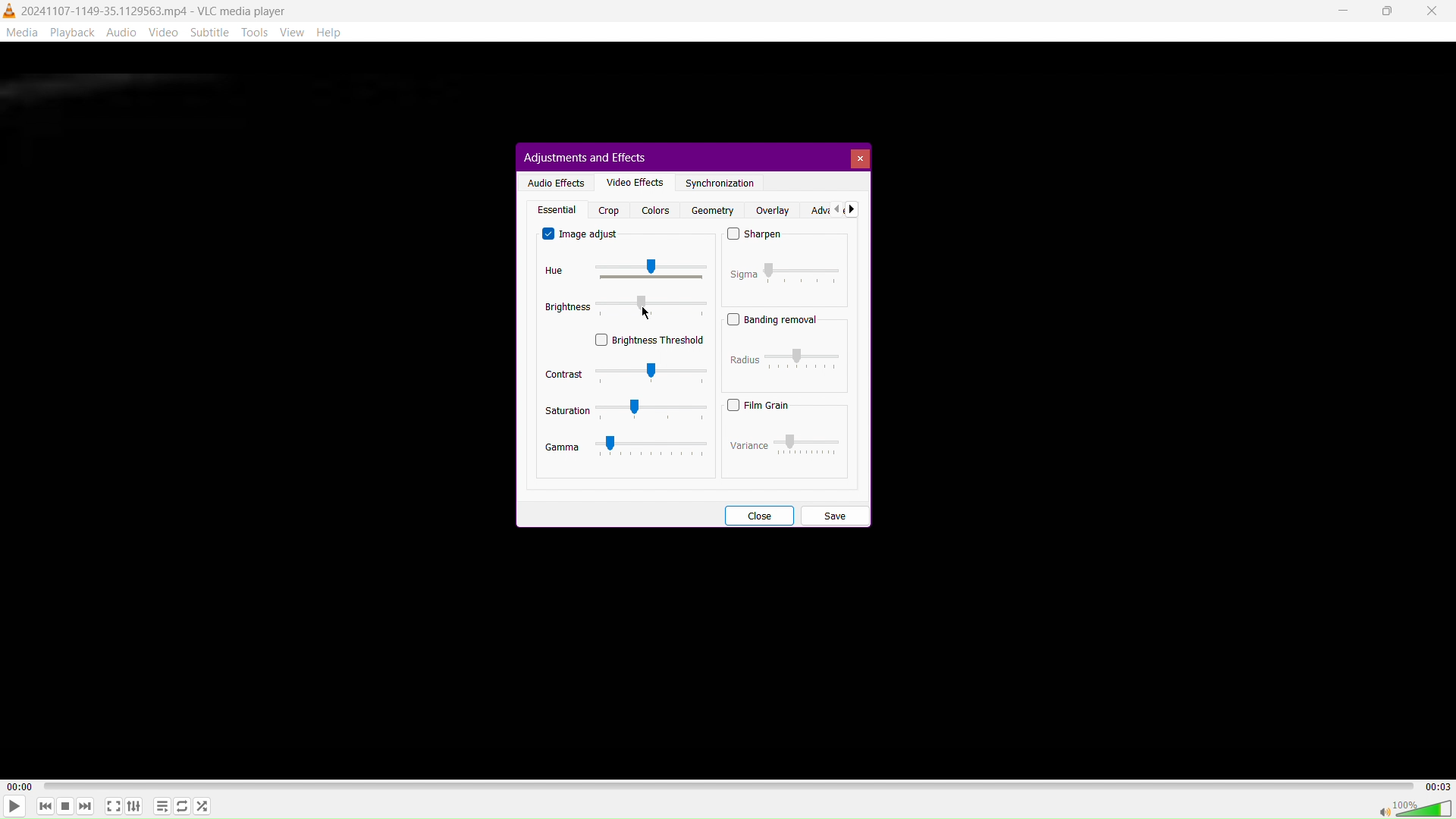 The image size is (1456, 819). Describe the element at coordinates (654, 210) in the screenshot. I see `Colors` at that location.